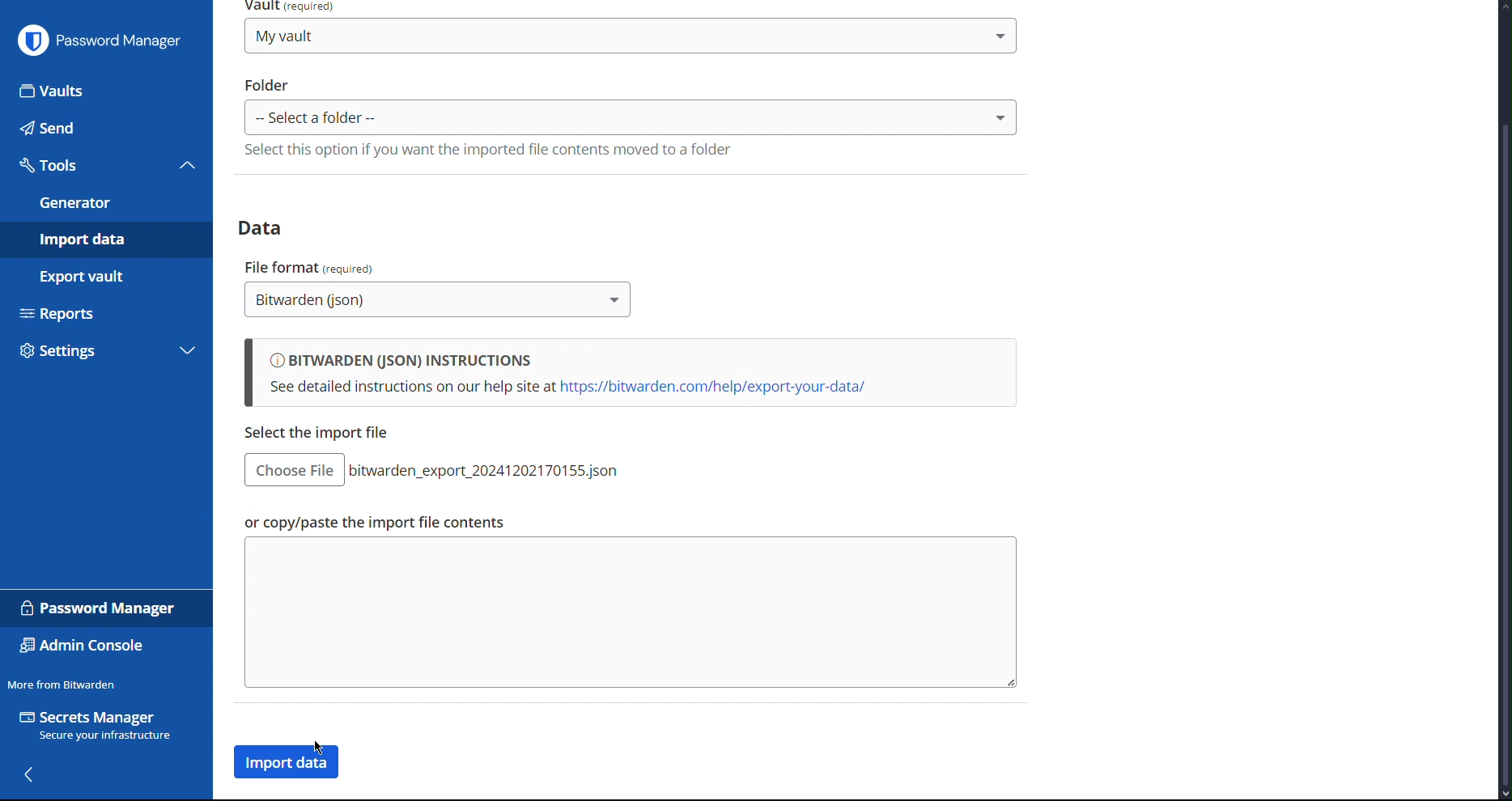 This screenshot has width=1512, height=801. What do you see at coordinates (99, 727) in the screenshot?
I see `Secrets Manager` at bounding box center [99, 727].